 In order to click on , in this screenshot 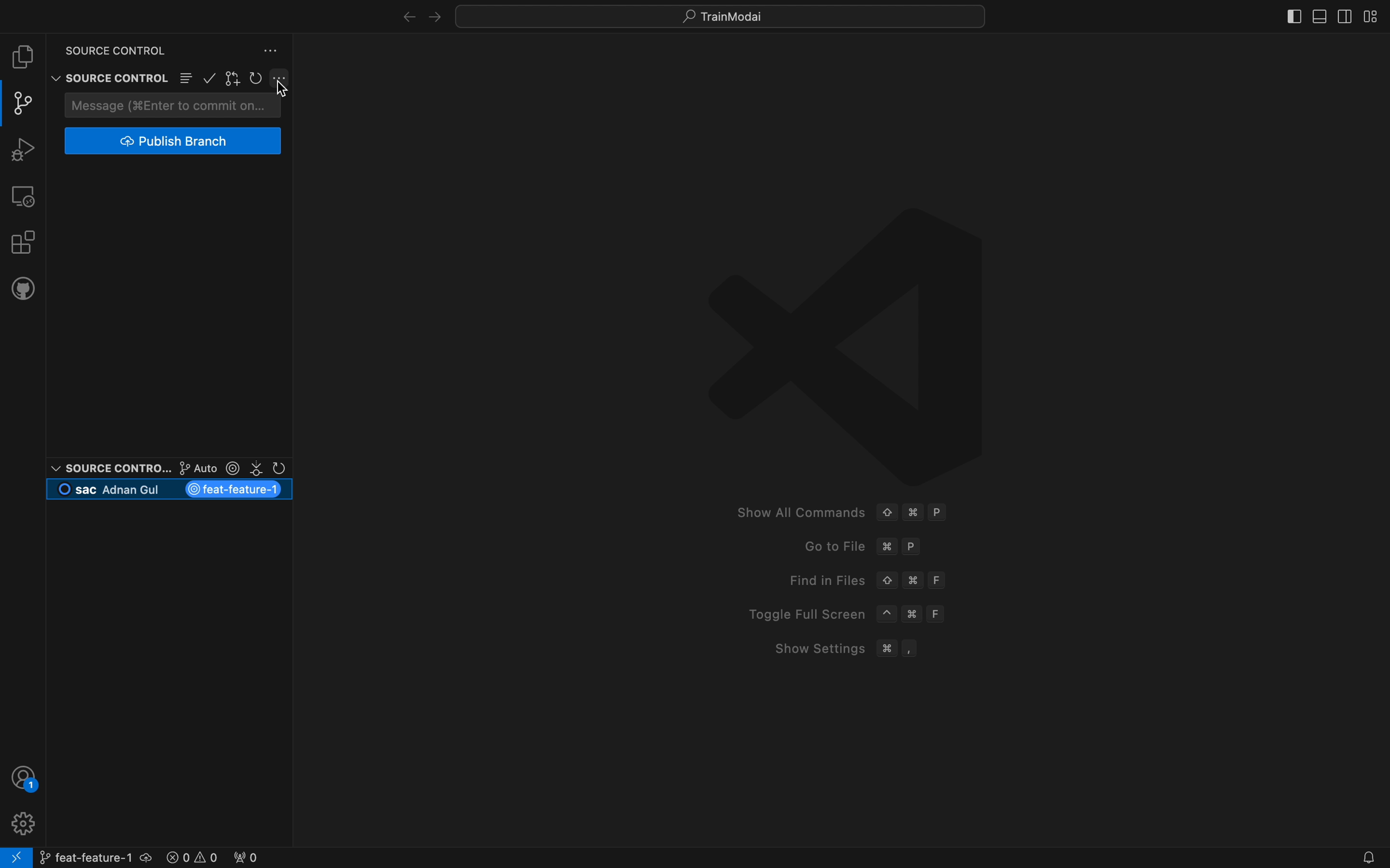, I will do `click(912, 648)`.